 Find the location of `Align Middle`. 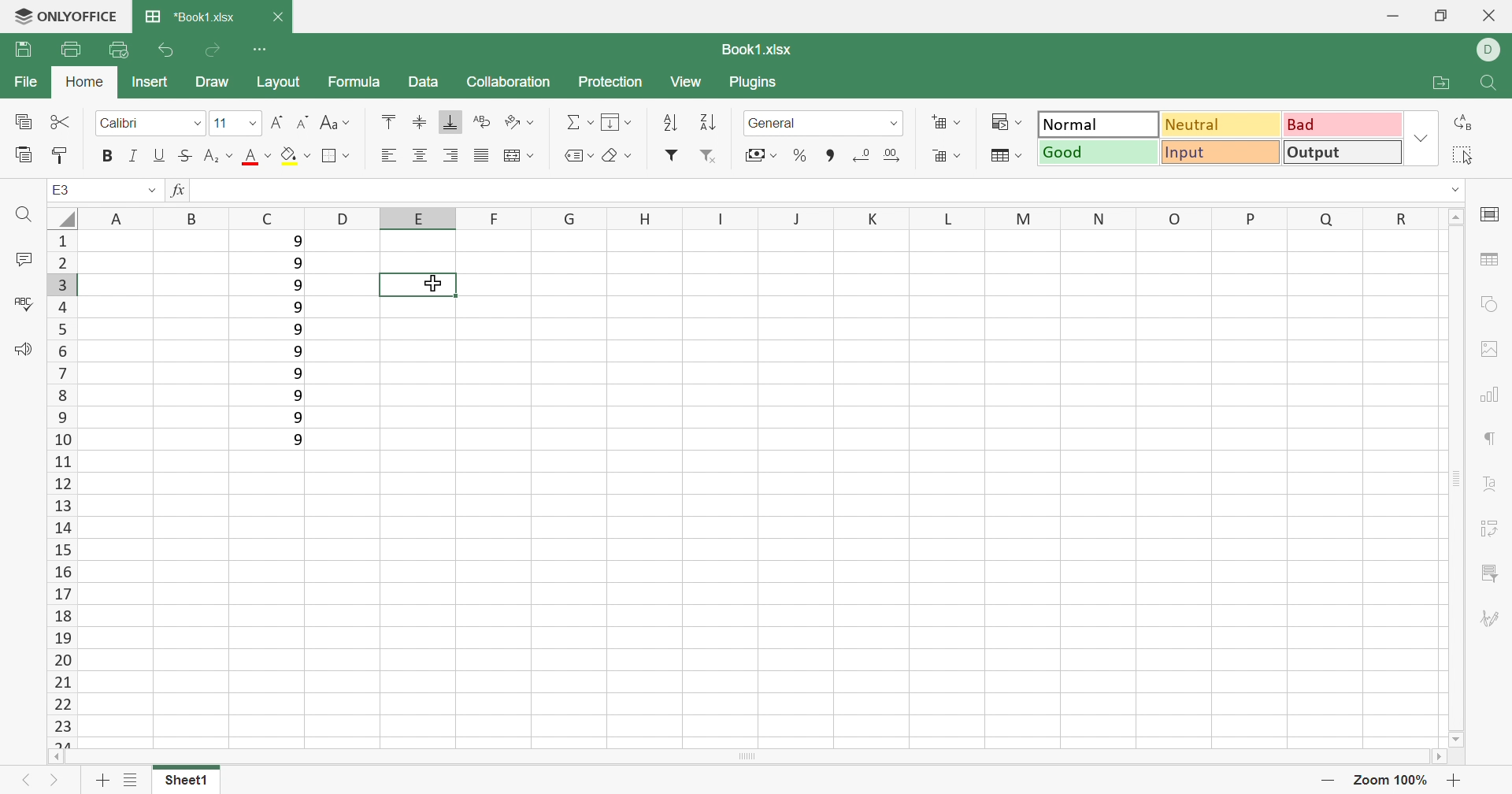

Align Middle is located at coordinates (420, 122).